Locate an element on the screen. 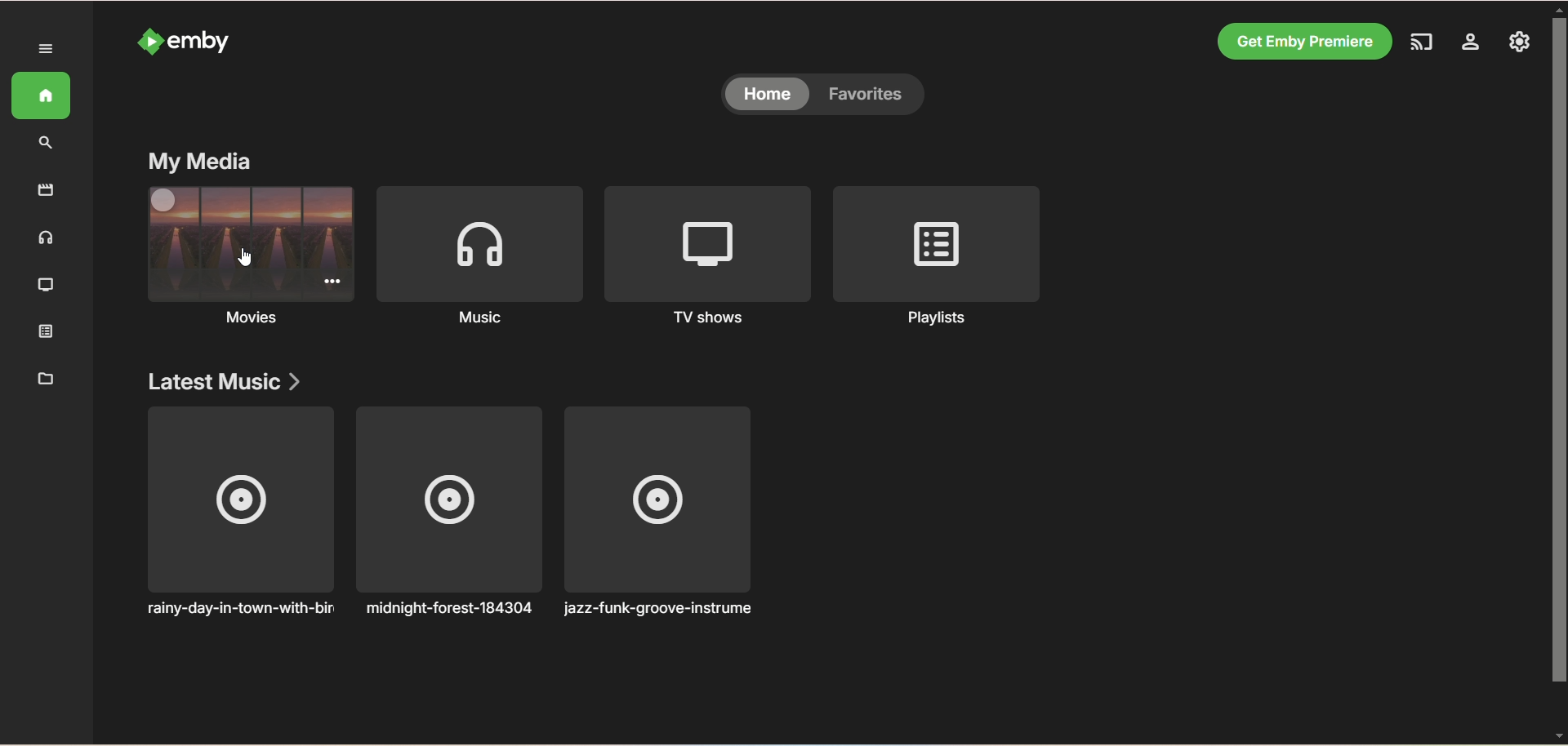 The width and height of the screenshot is (1568, 746). movies is located at coordinates (38, 190).